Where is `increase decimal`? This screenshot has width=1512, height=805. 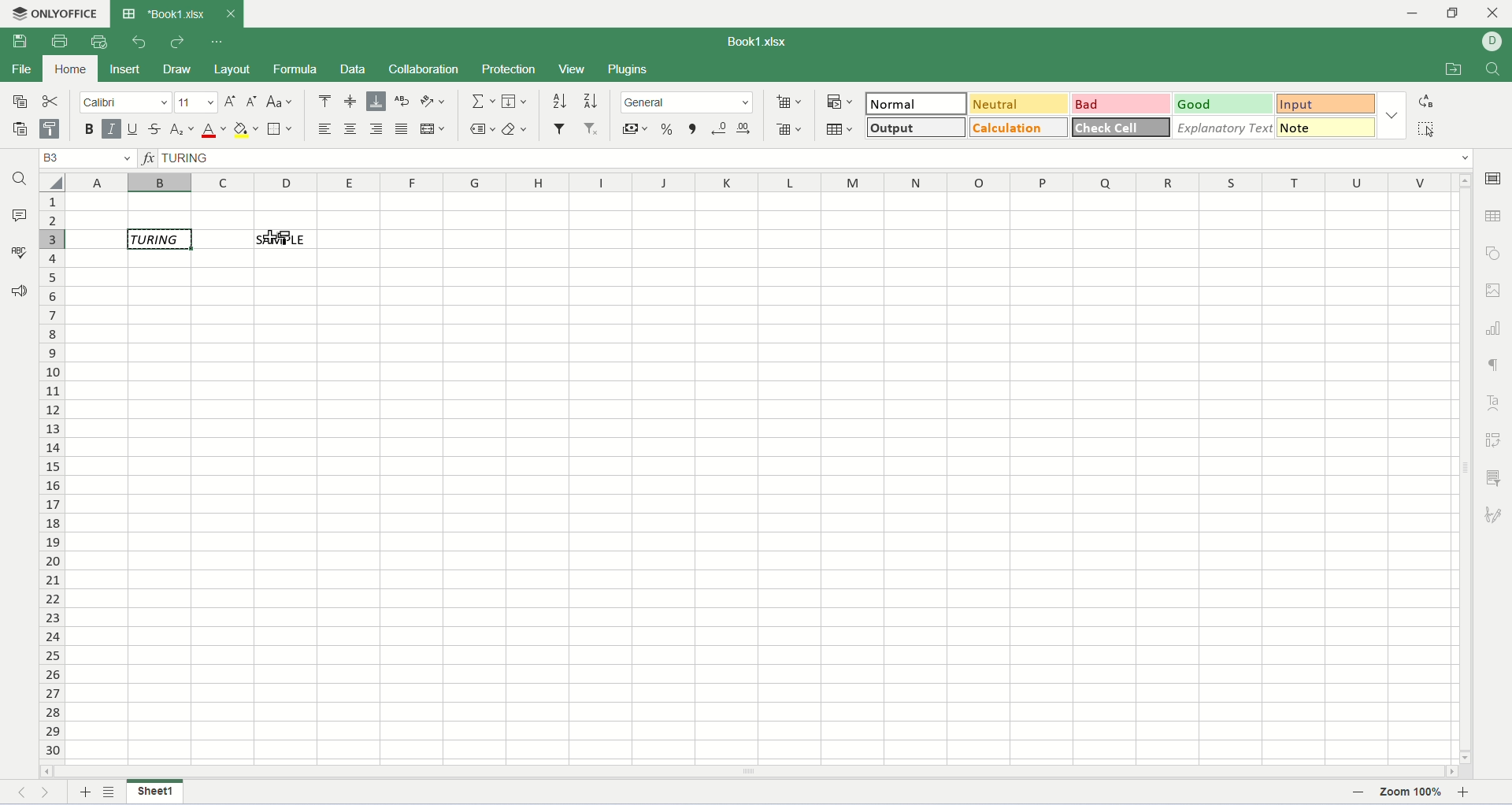
increase decimal is located at coordinates (745, 128).